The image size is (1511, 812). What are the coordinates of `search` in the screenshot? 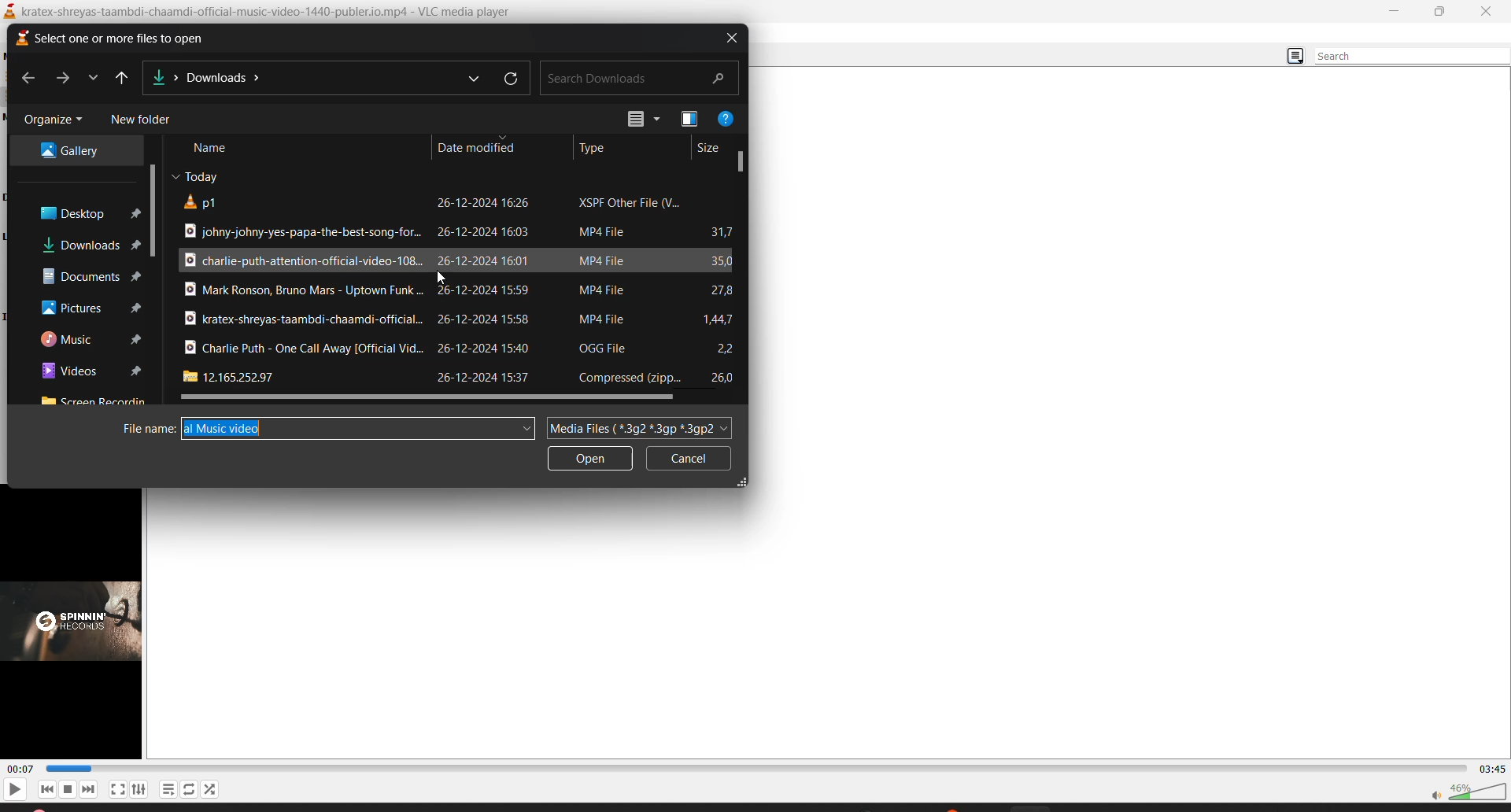 It's located at (641, 79).